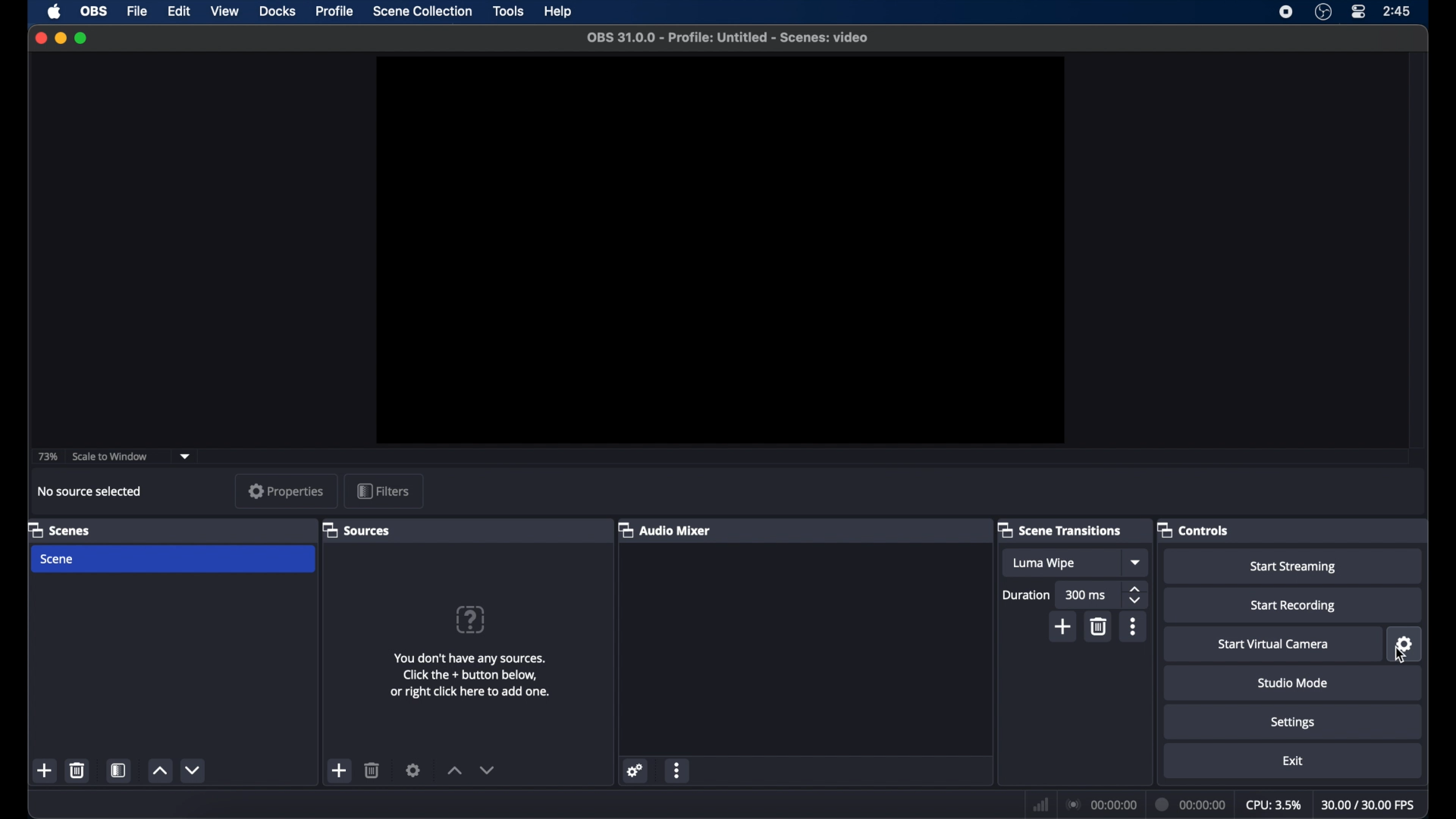 Image resolution: width=1456 pixels, height=819 pixels. What do you see at coordinates (46, 457) in the screenshot?
I see `73%` at bounding box center [46, 457].